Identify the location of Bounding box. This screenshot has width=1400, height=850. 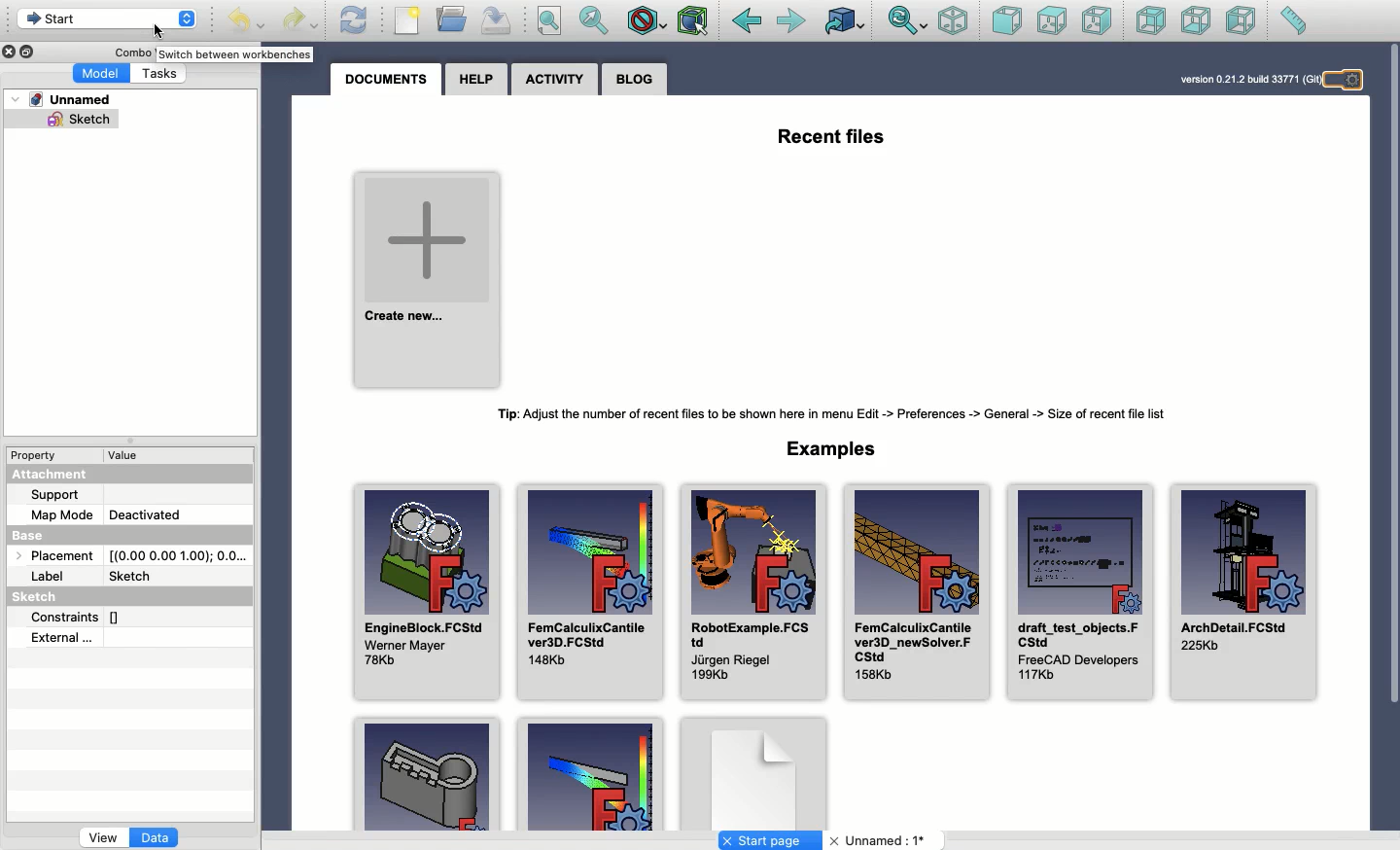
(694, 22).